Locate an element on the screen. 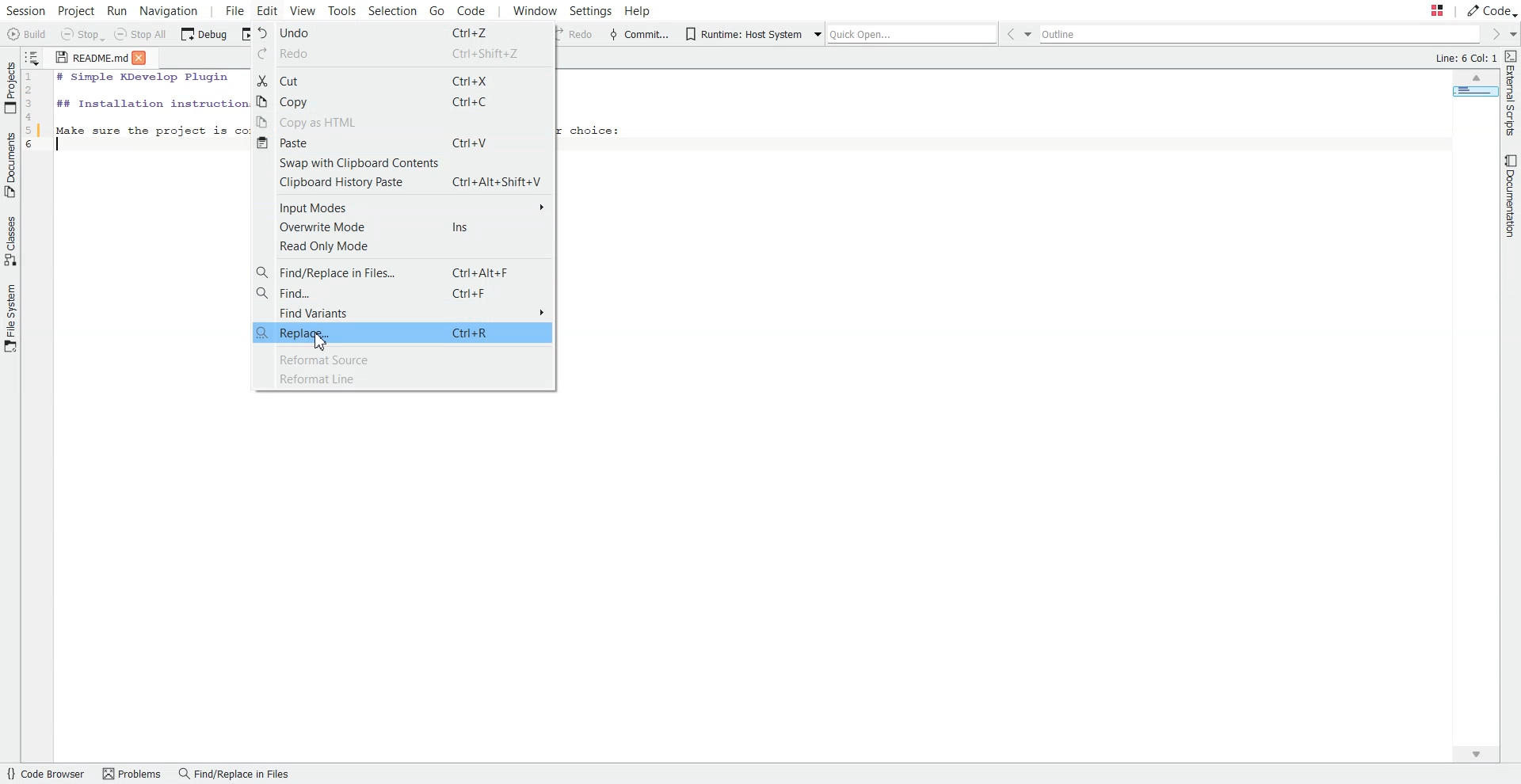 Image resolution: width=1521 pixels, height=784 pixels. Find/Replace in Files Ctrl+Alt+F is located at coordinates (403, 271).